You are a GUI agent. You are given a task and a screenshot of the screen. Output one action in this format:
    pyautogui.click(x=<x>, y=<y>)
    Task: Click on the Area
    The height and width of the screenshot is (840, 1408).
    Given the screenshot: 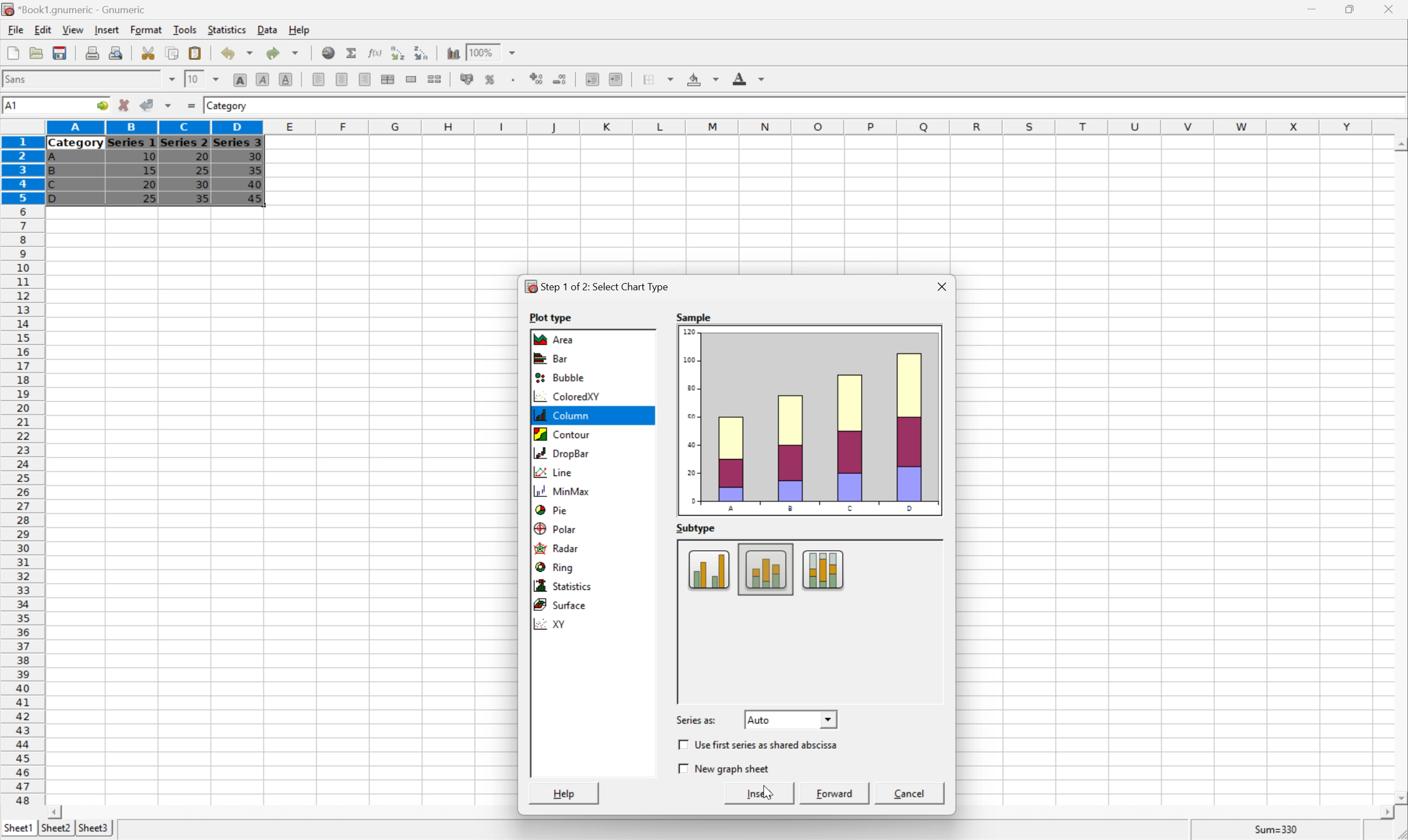 What is the action you would take?
    pyautogui.click(x=559, y=338)
    